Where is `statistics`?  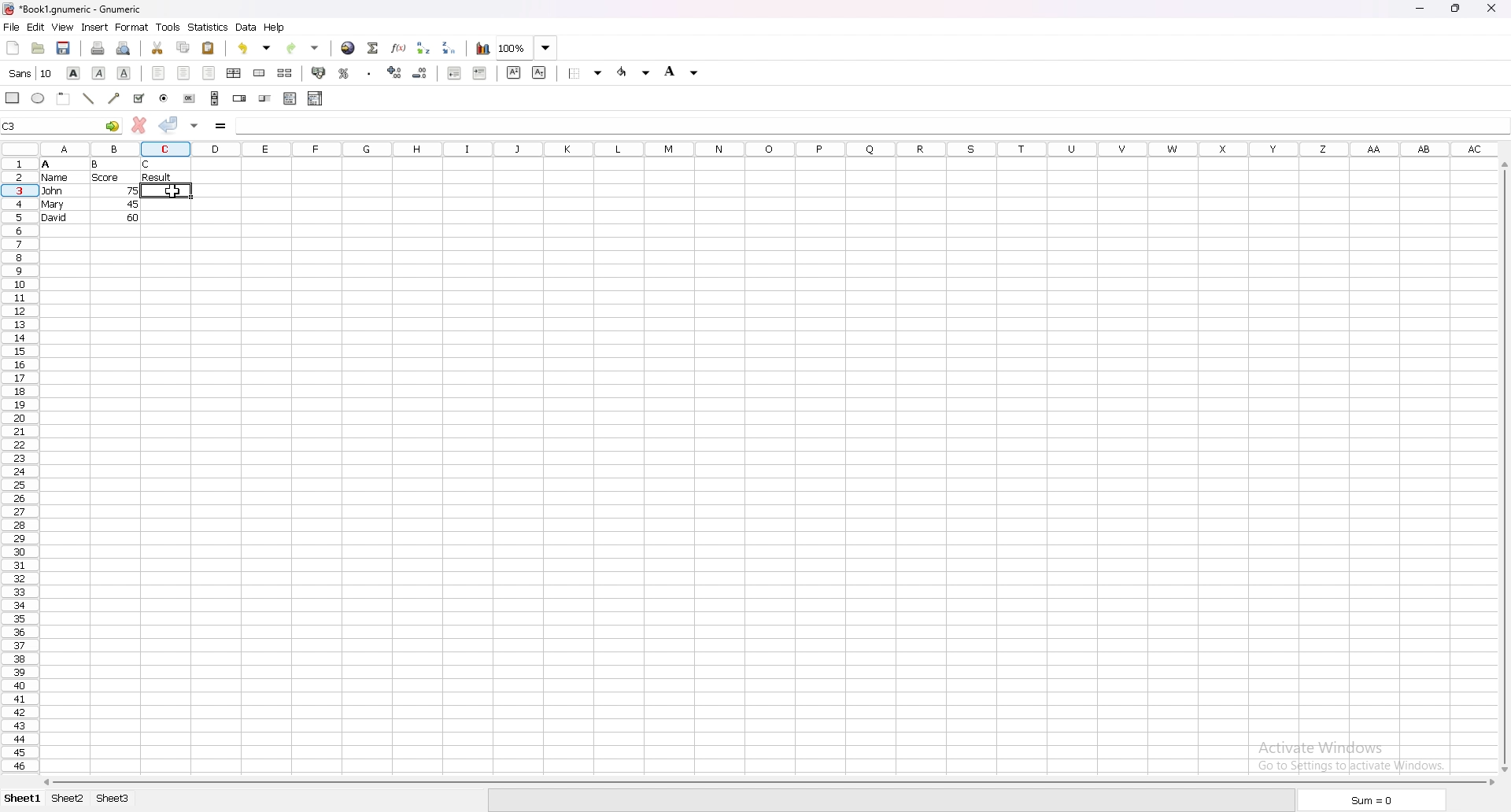 statistics is located at coordinates (208, 27).